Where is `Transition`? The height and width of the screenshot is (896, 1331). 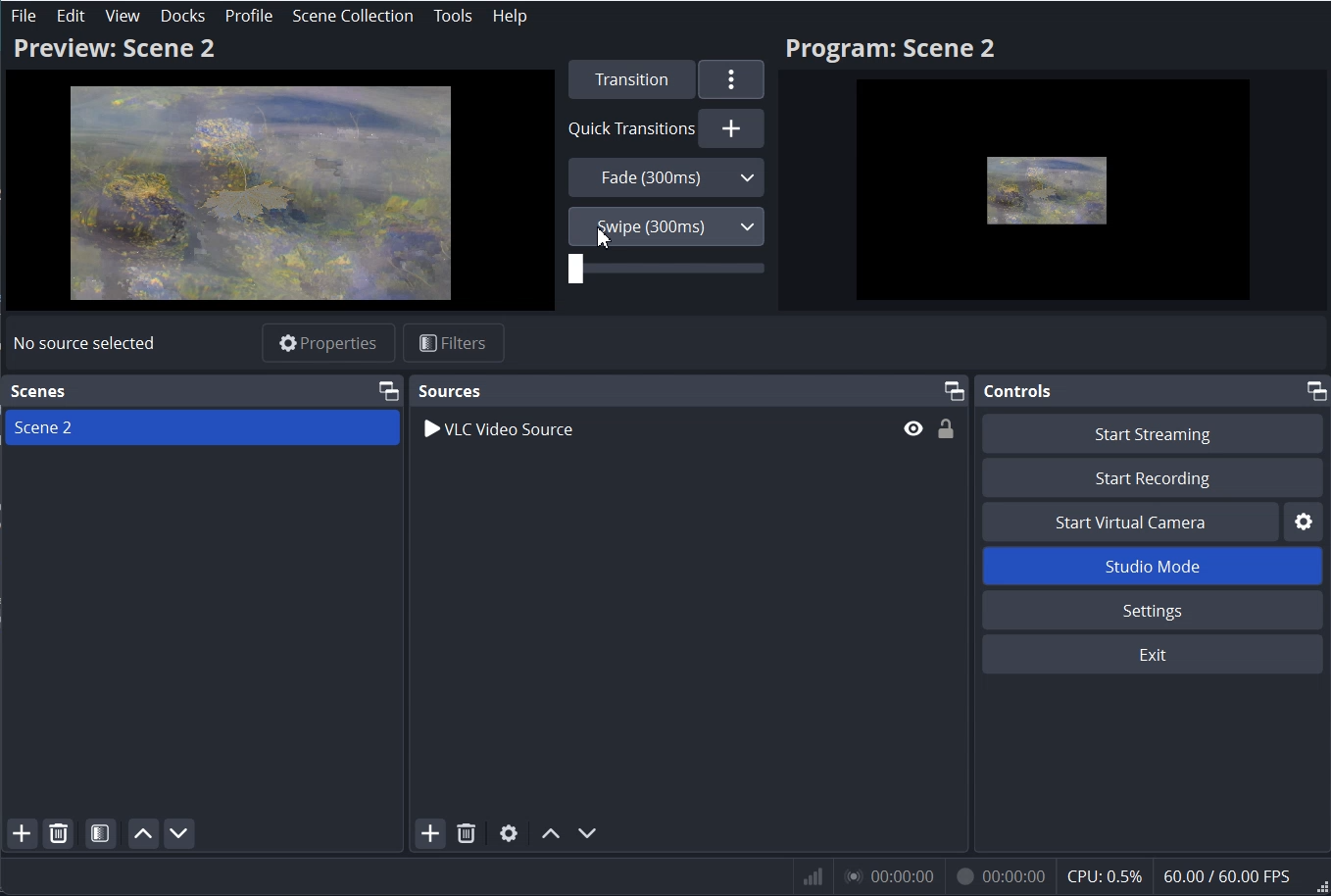
Transition is located at coordinates (627, 78).